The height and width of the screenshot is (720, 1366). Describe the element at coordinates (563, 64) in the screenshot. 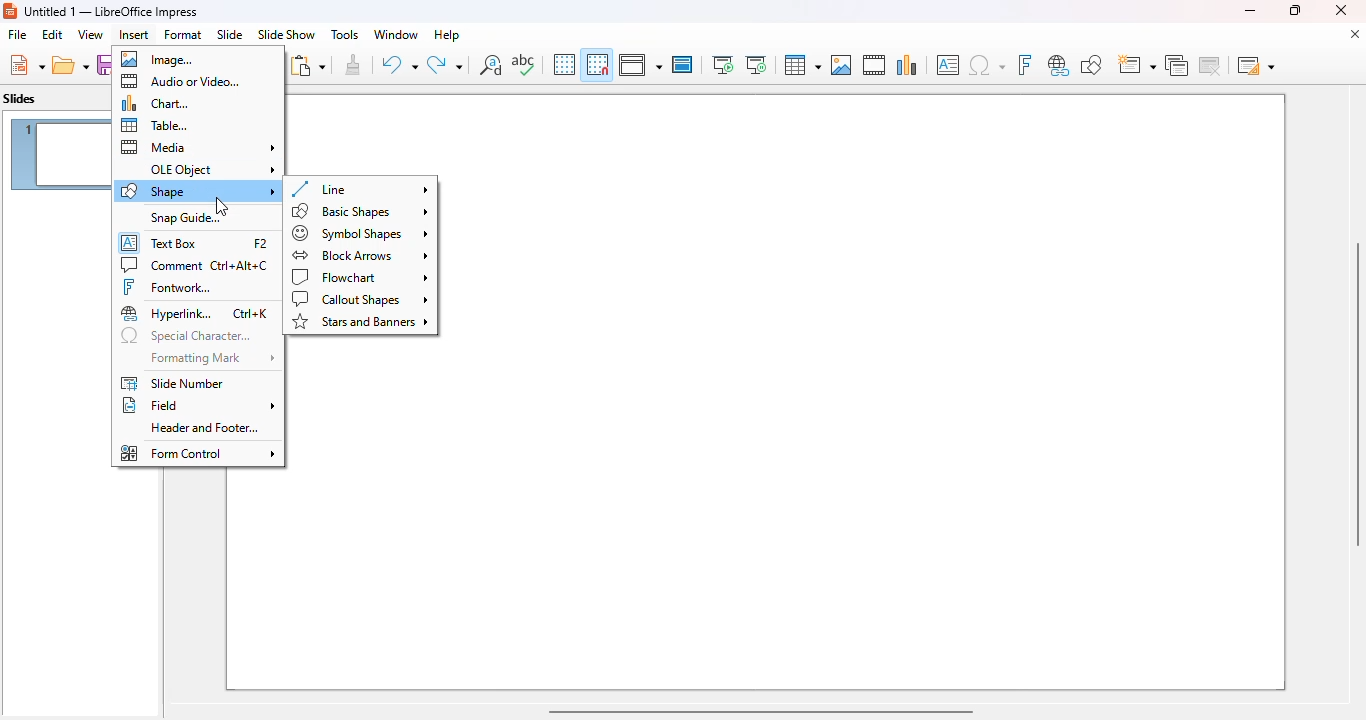

I see `display grid` at that location.